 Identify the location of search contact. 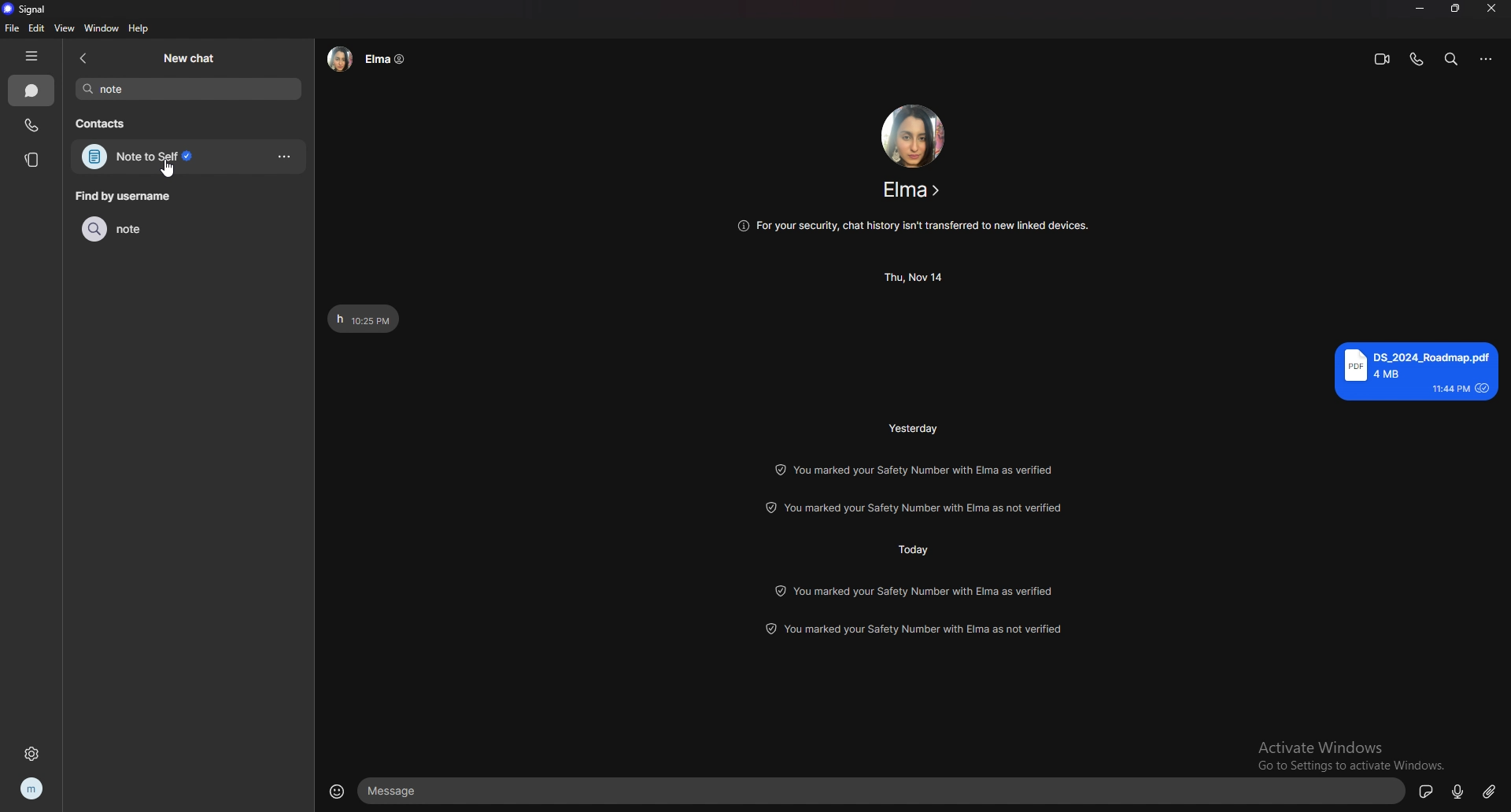
(190, 89).